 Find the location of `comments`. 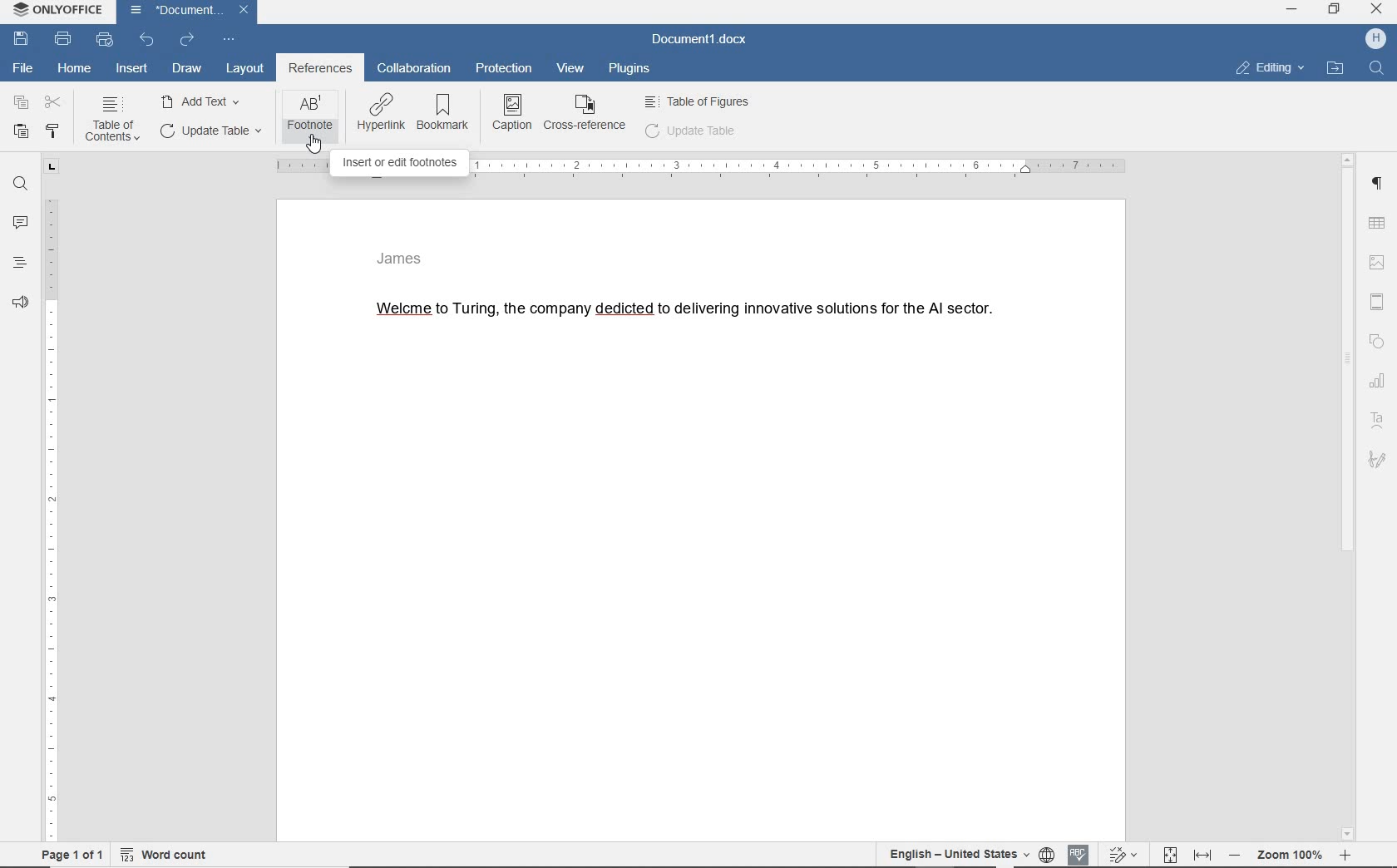

comments is located at coordinates (19, 220).